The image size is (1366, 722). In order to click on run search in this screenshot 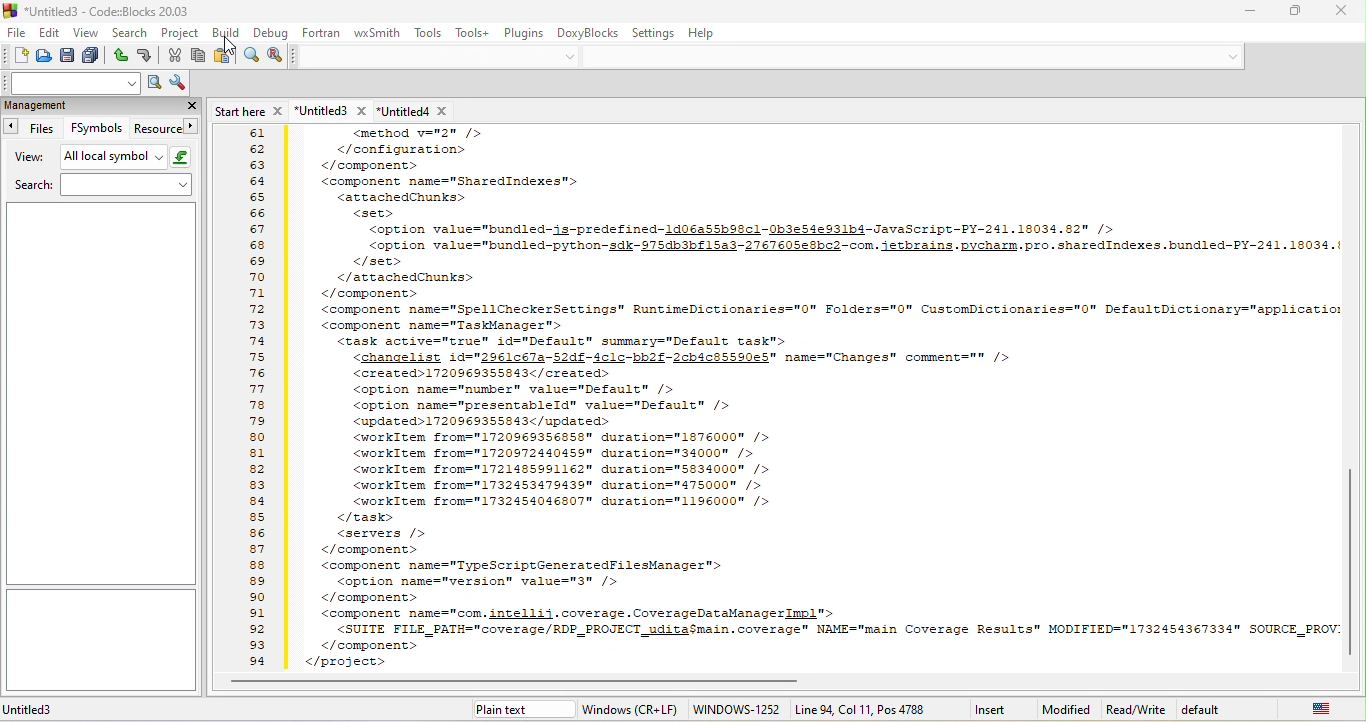, I will do `click(153, 83)`.